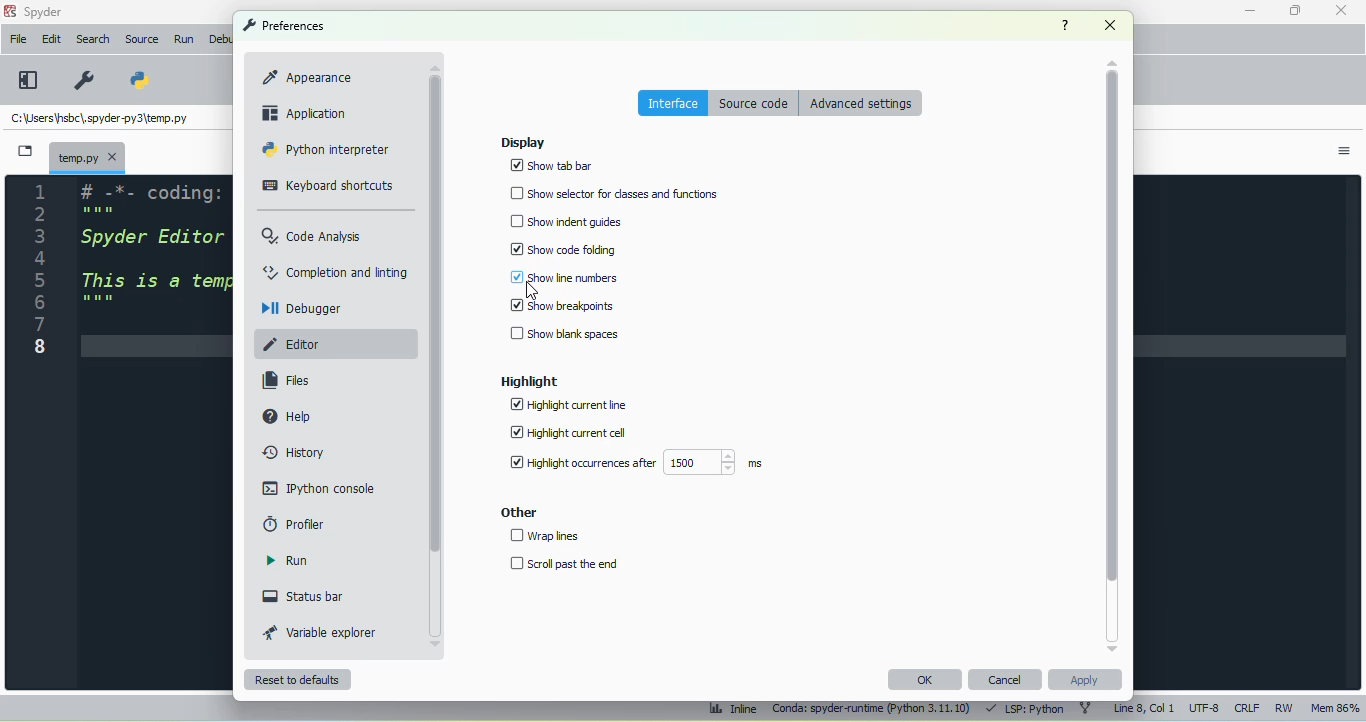 The height and width of the screenshot is (722, 1366). I want to click on cursor, so click(532, 291).